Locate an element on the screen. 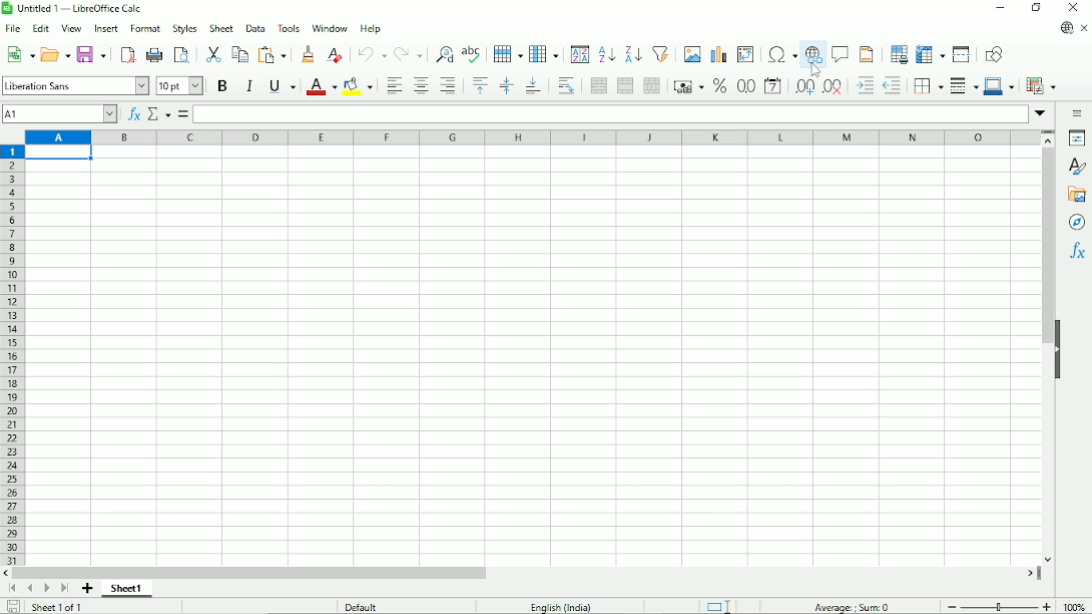 The image size is (1092, 614). Insert special characters is located at coordinates (781, 56).